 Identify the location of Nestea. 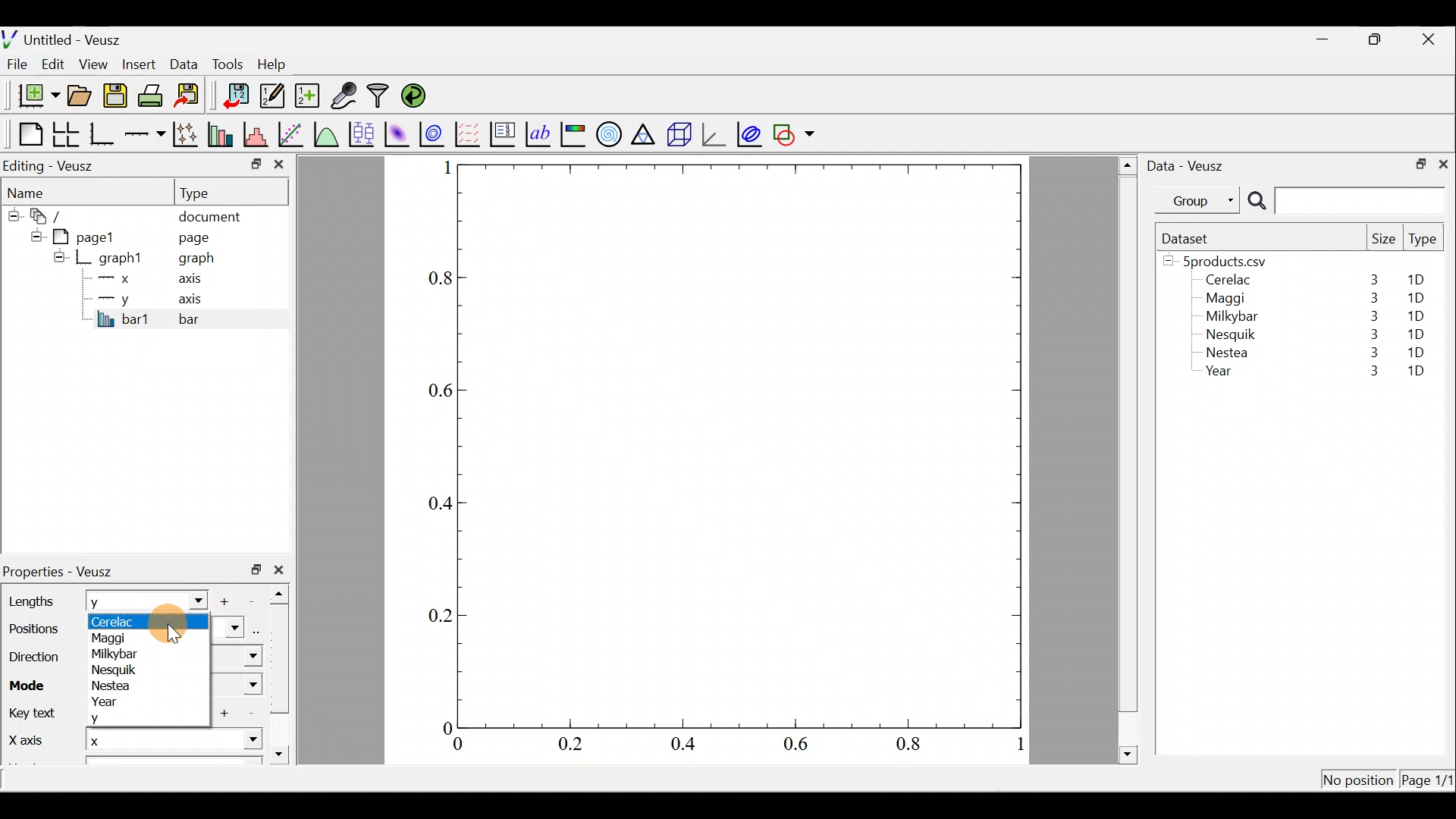
(113, 686).